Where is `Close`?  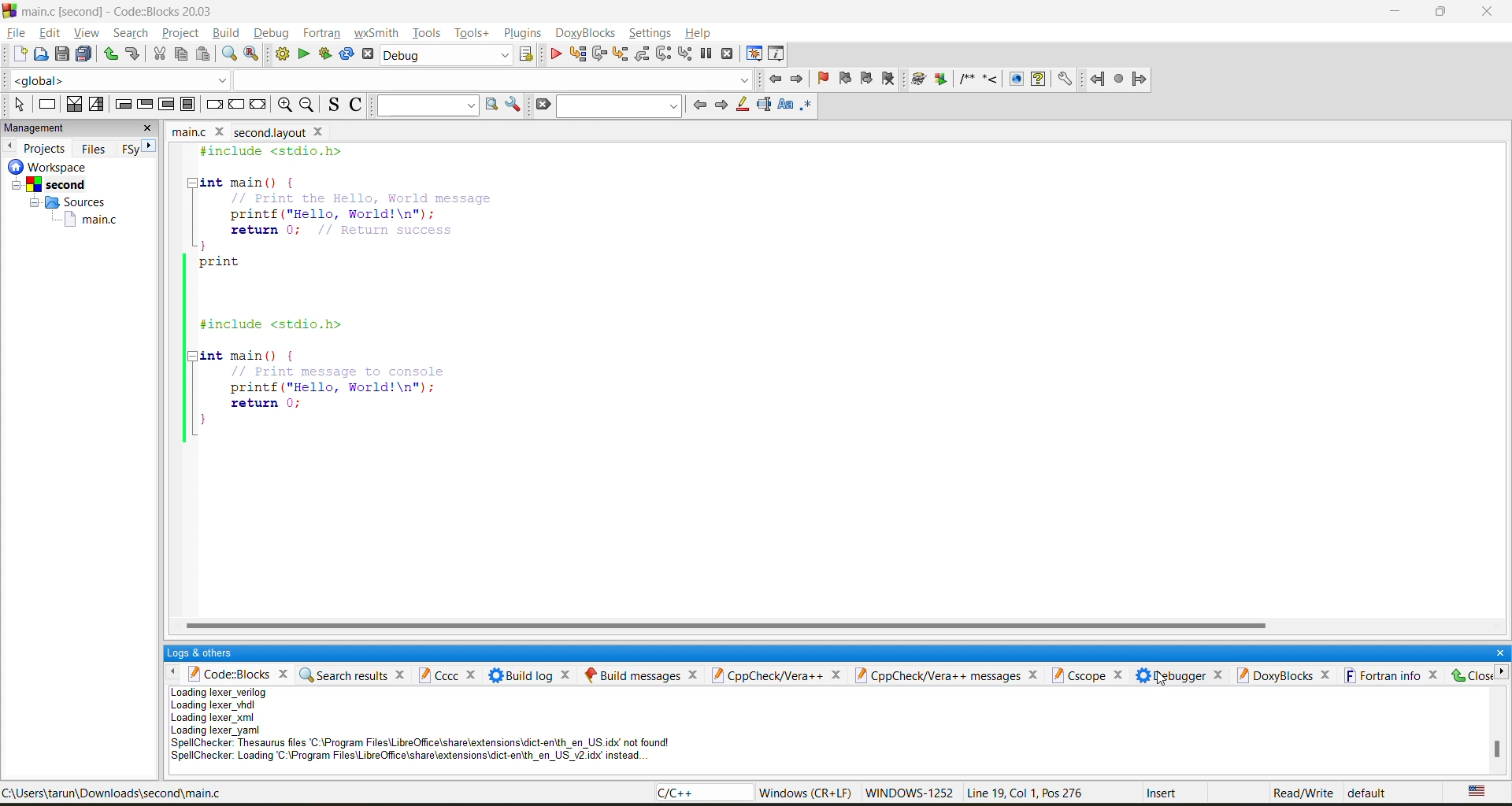 Close is located at coordinates (1473, 675).